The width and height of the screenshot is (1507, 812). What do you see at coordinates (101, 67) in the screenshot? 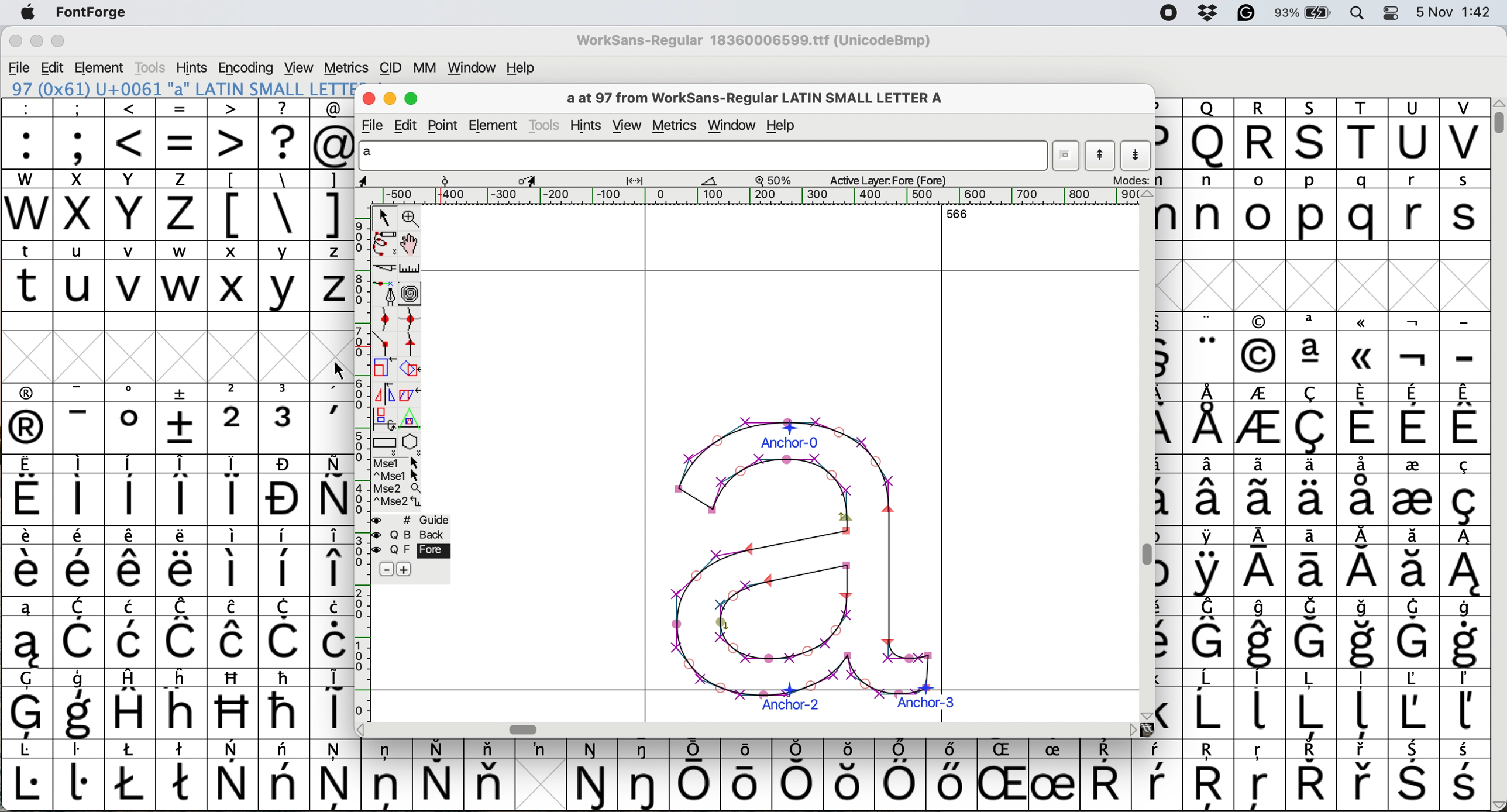
I see `element` at bounding box center [101, 67].